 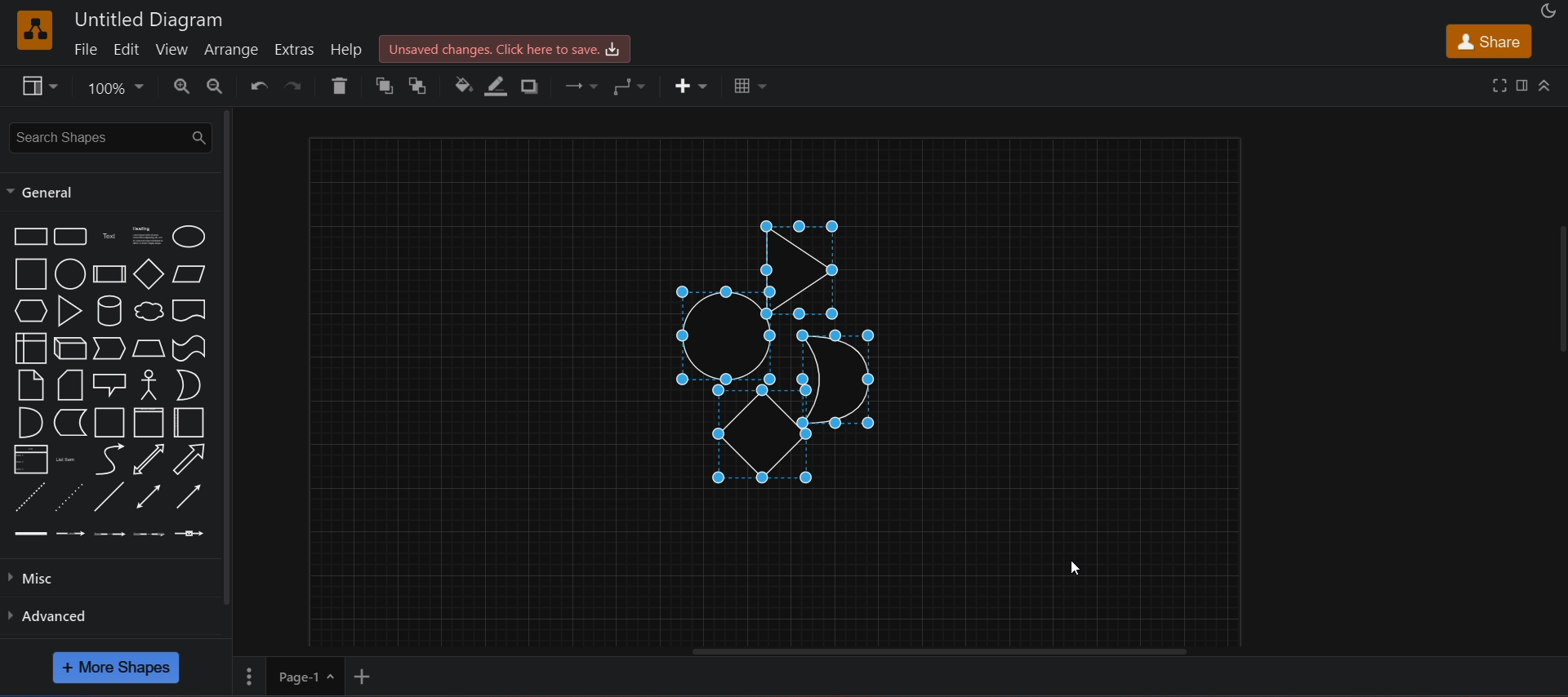 I want to click on edit, so click(x=128, y=49).